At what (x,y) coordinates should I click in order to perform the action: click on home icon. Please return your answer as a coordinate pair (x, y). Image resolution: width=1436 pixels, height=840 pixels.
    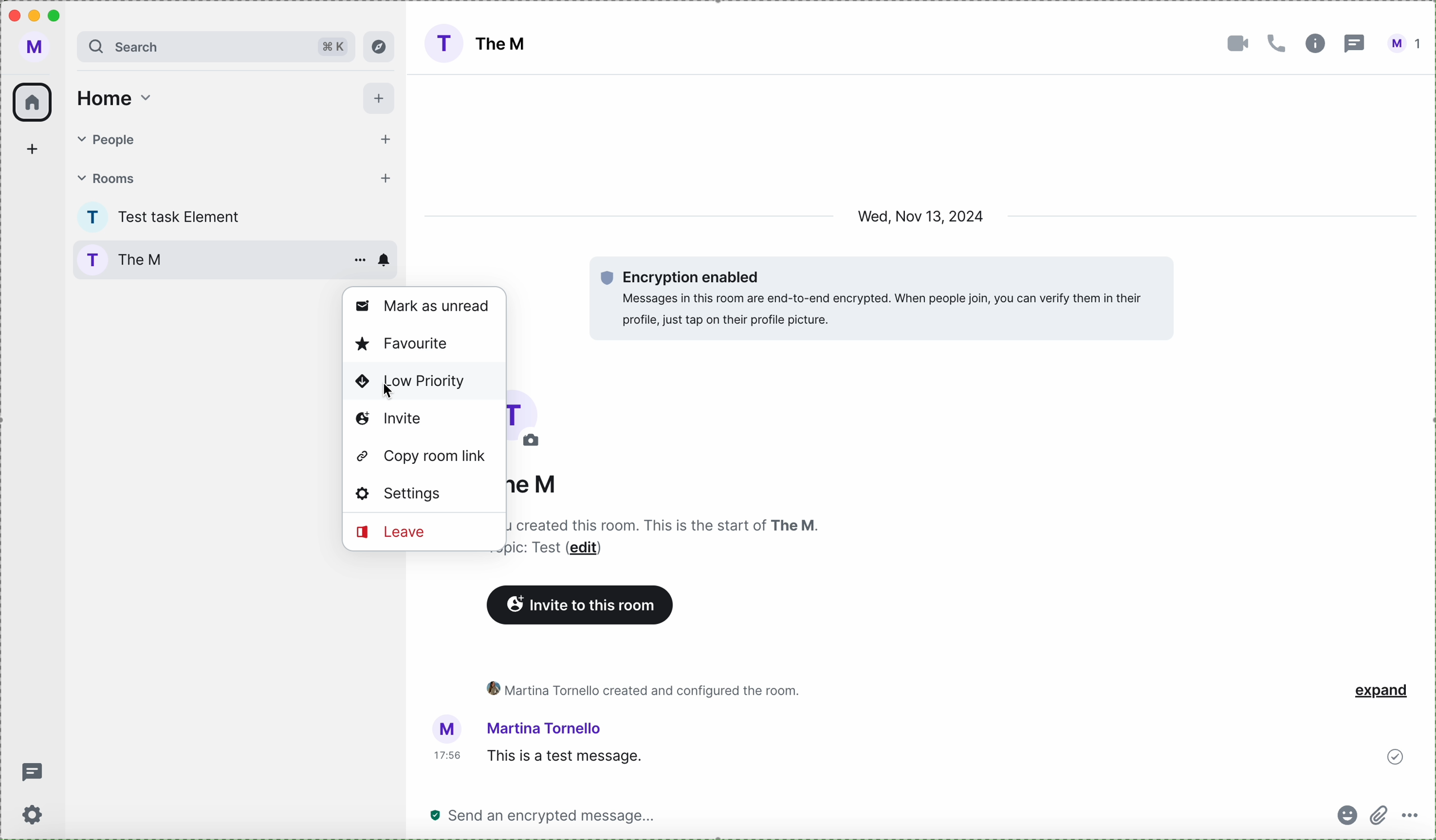
    Looking at the image, I should click on (32, 103).